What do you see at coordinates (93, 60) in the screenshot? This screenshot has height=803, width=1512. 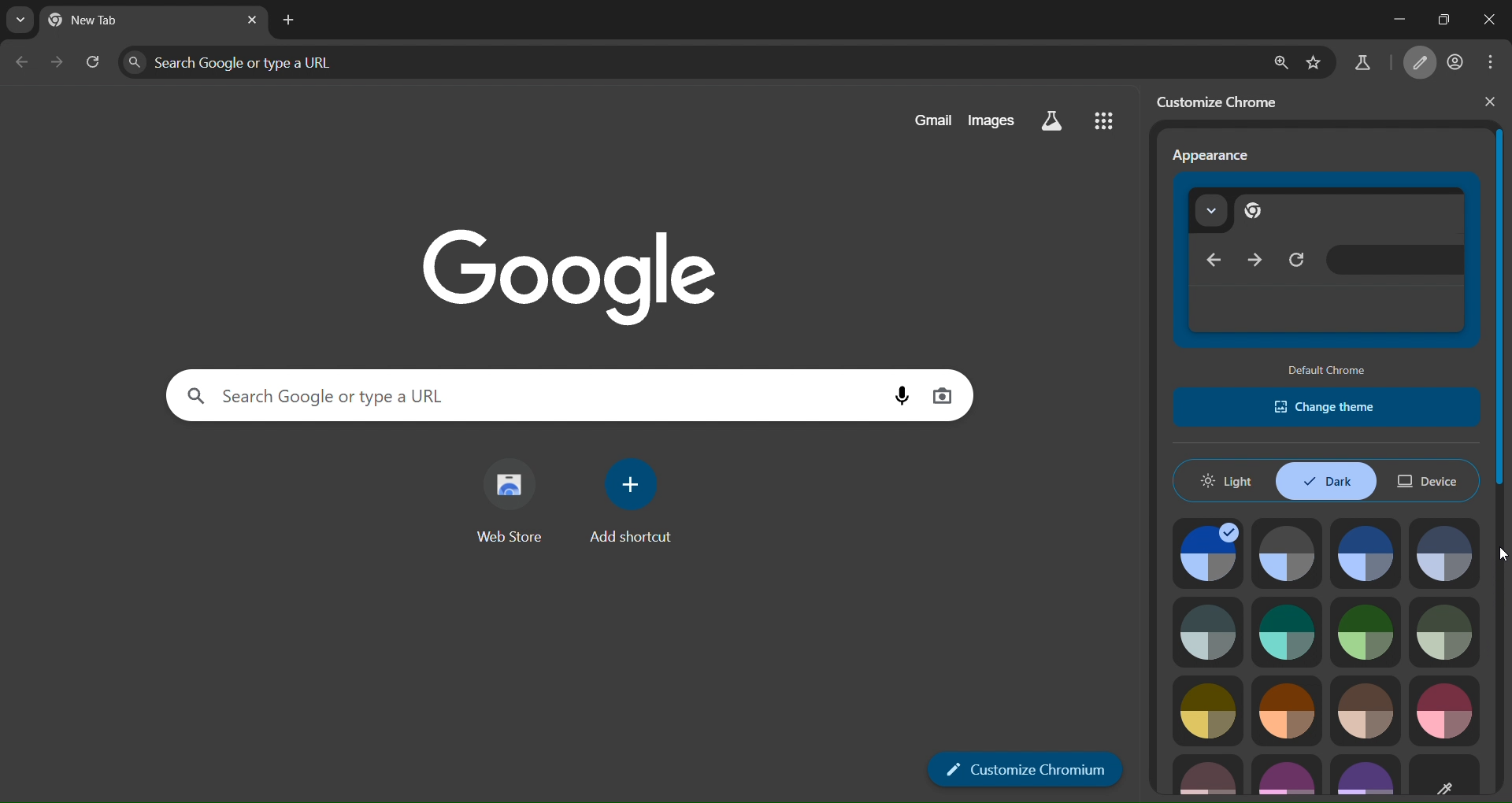 I see `reload page` at bounding box center [93, 60].